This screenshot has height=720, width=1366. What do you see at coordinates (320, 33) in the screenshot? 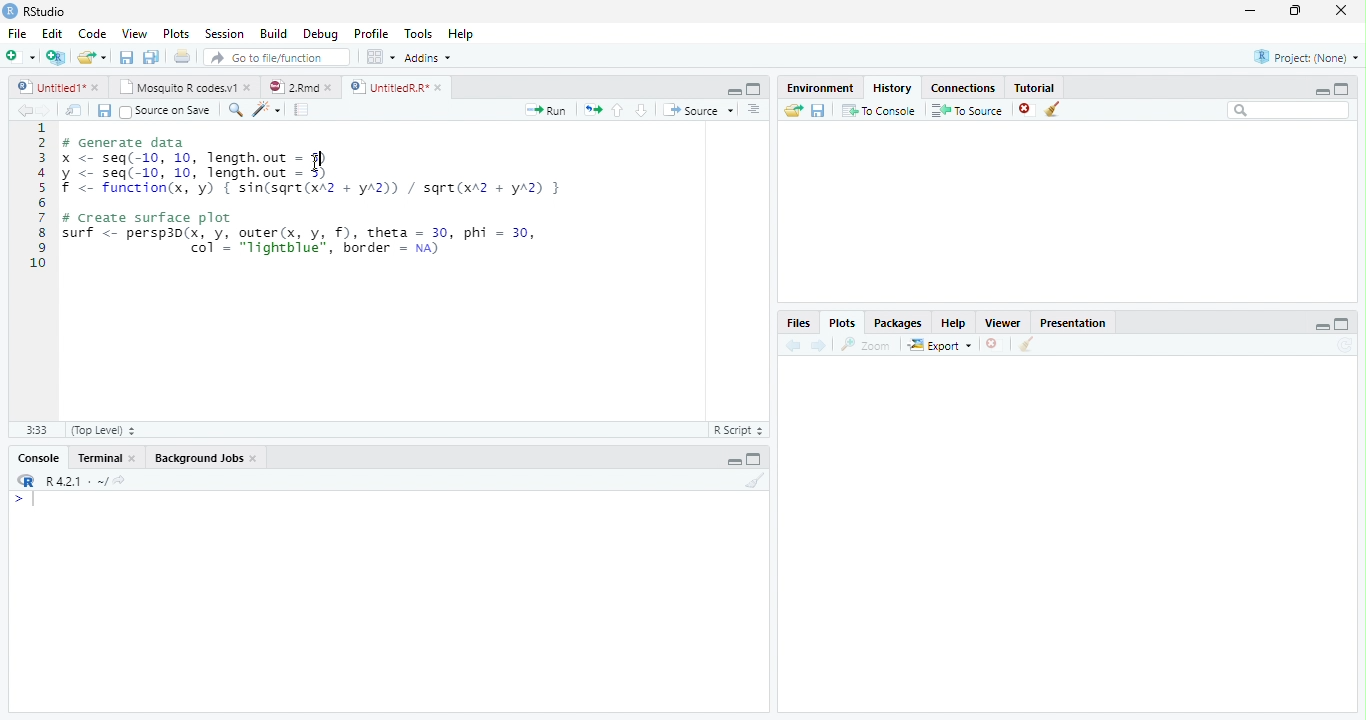
I see `Debug` at bounding box center [320, 33].